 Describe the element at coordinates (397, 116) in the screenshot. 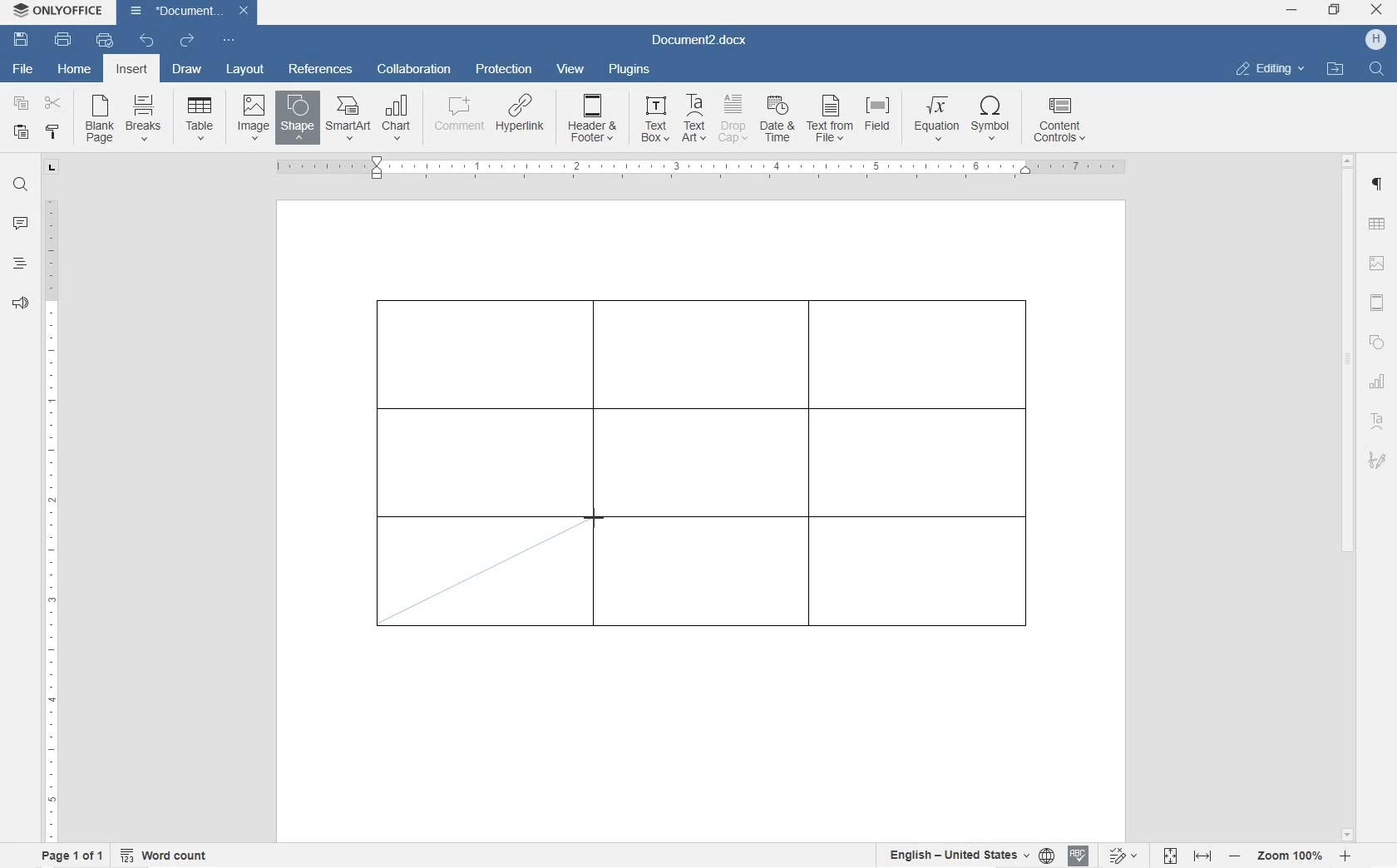

I see `CHART` at that location.